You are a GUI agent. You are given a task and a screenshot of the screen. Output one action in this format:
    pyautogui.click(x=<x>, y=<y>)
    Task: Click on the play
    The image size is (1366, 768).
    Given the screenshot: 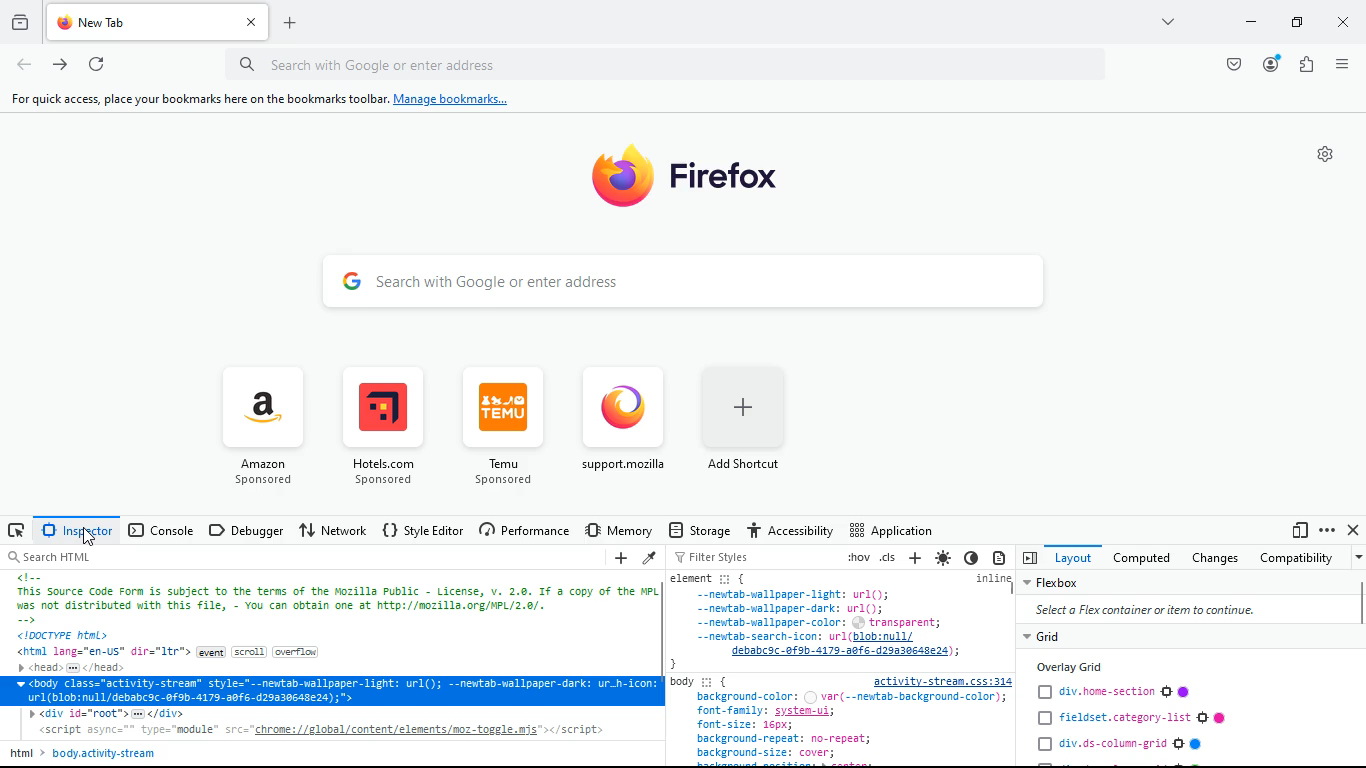 What is the action you would take?
    pyautogui.click(x=1029, y=557)
    